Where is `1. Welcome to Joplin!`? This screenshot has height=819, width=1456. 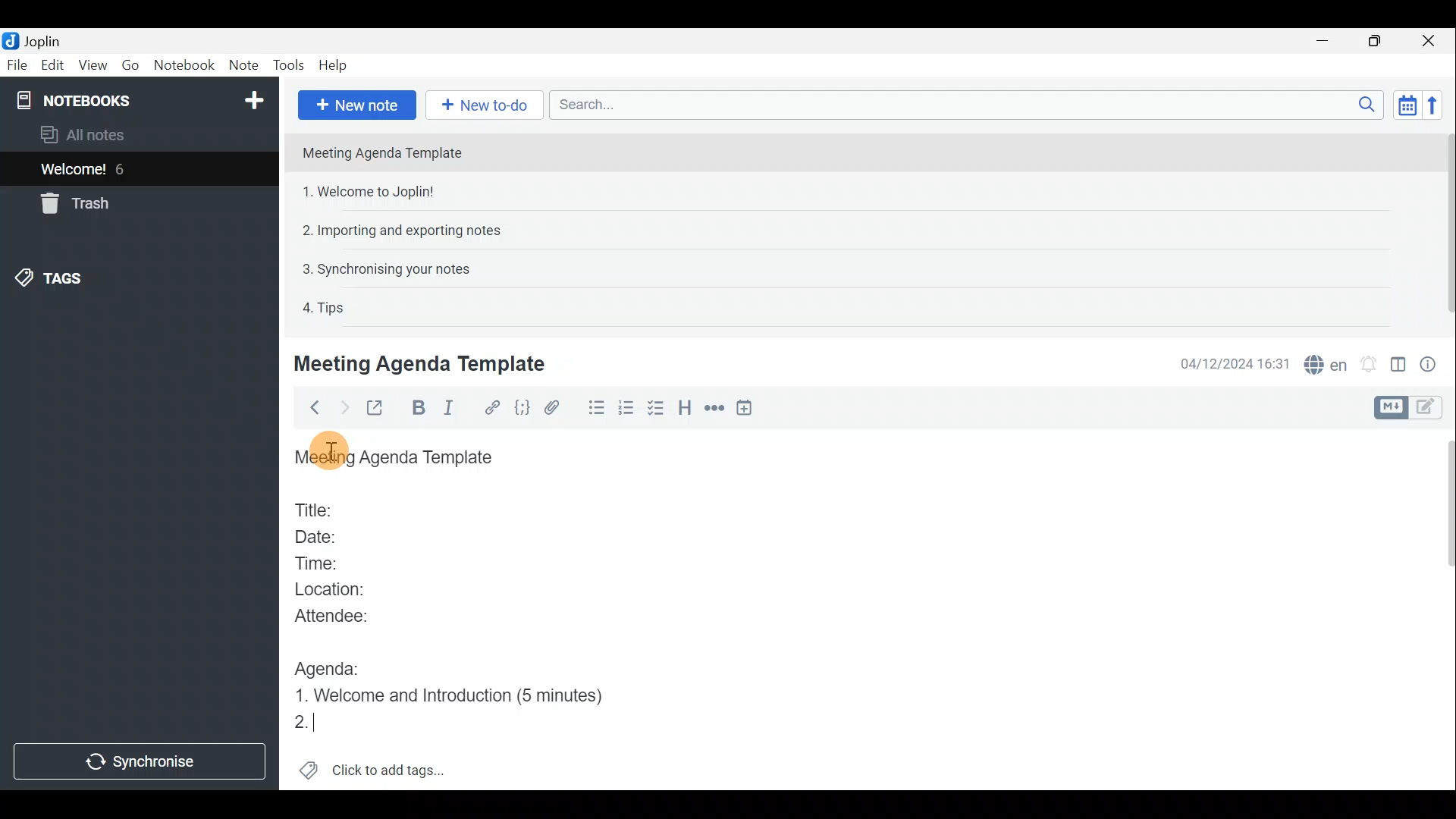 1. Welcome to Joplin! is located at coordinates (373, 191).